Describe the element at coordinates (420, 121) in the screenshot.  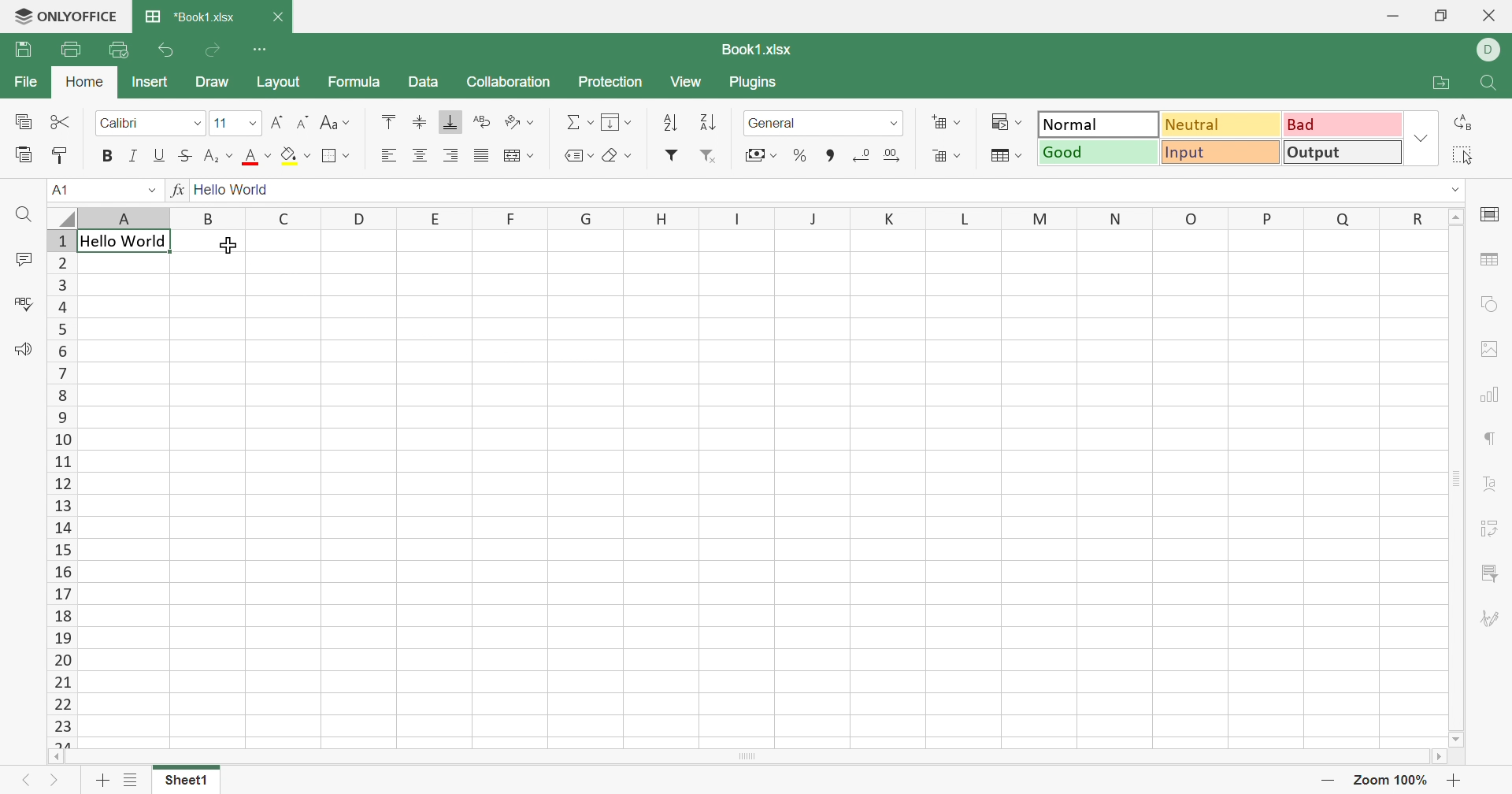
I see `Align middle` at that location.